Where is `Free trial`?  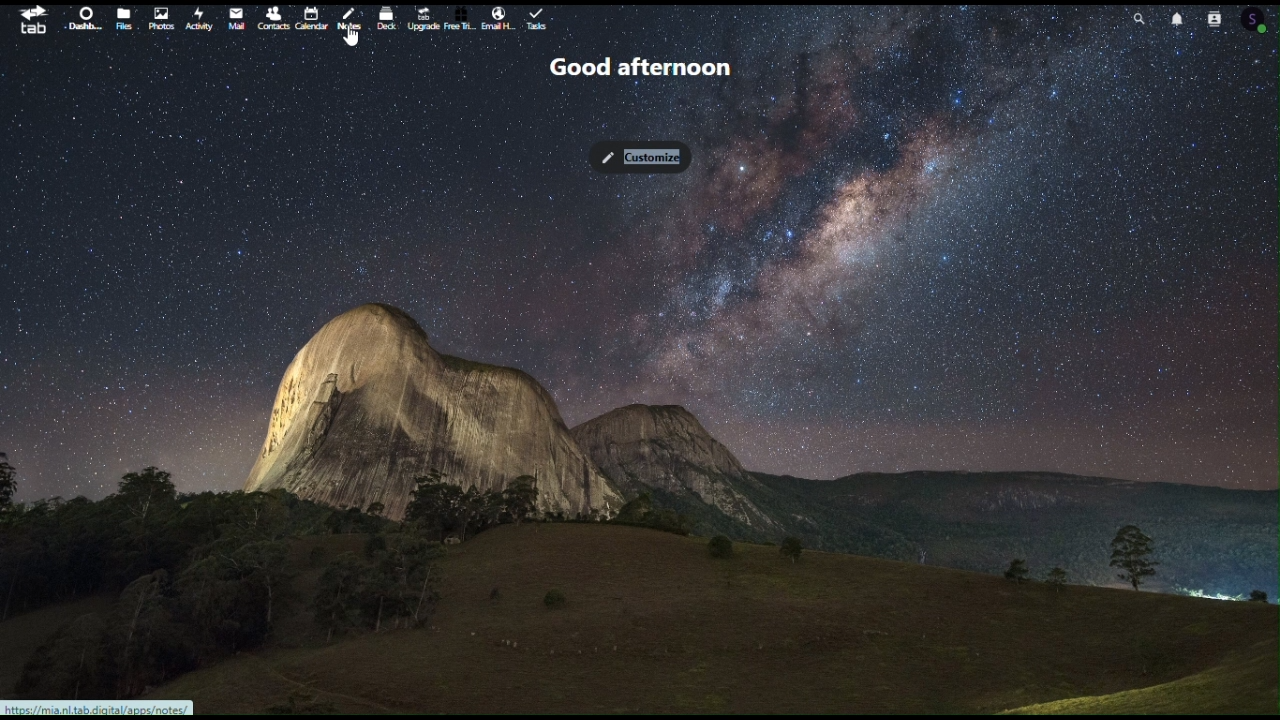
Free trial is located at coordinates (459, 20).